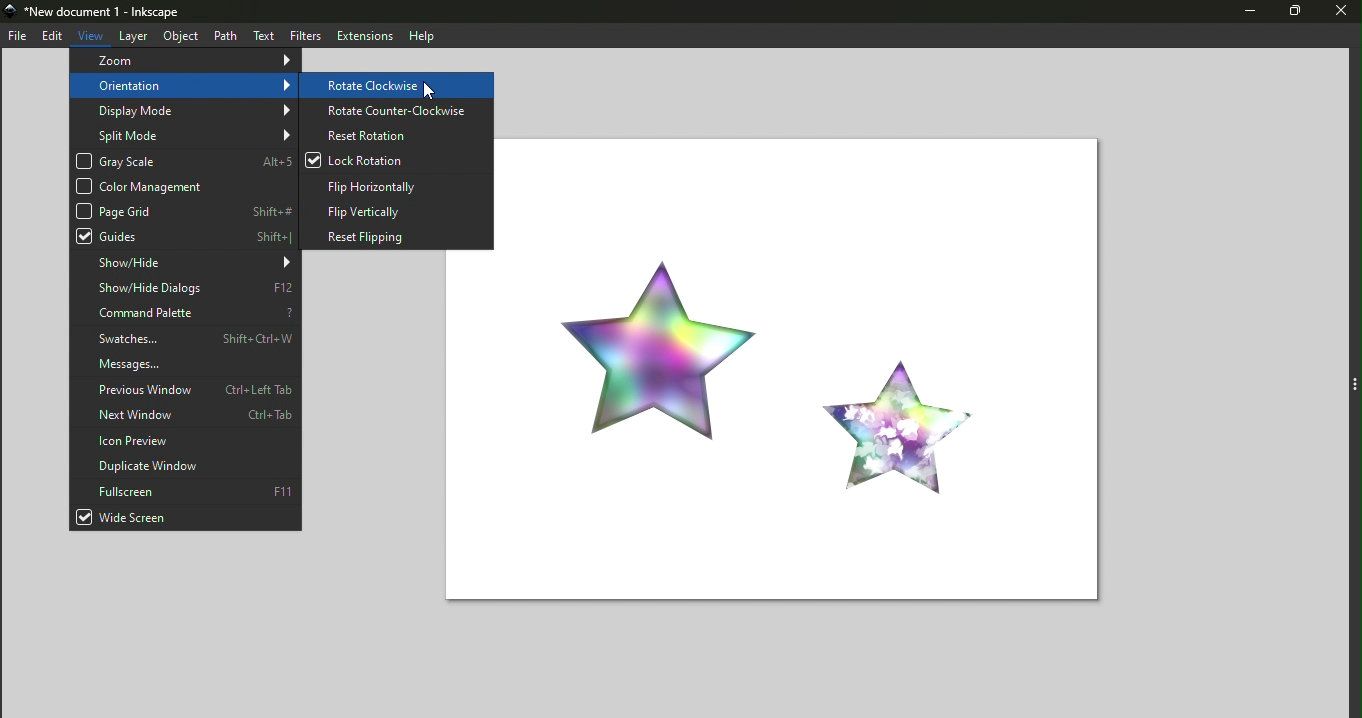  I want to click on Zoom, so click(182, 61).